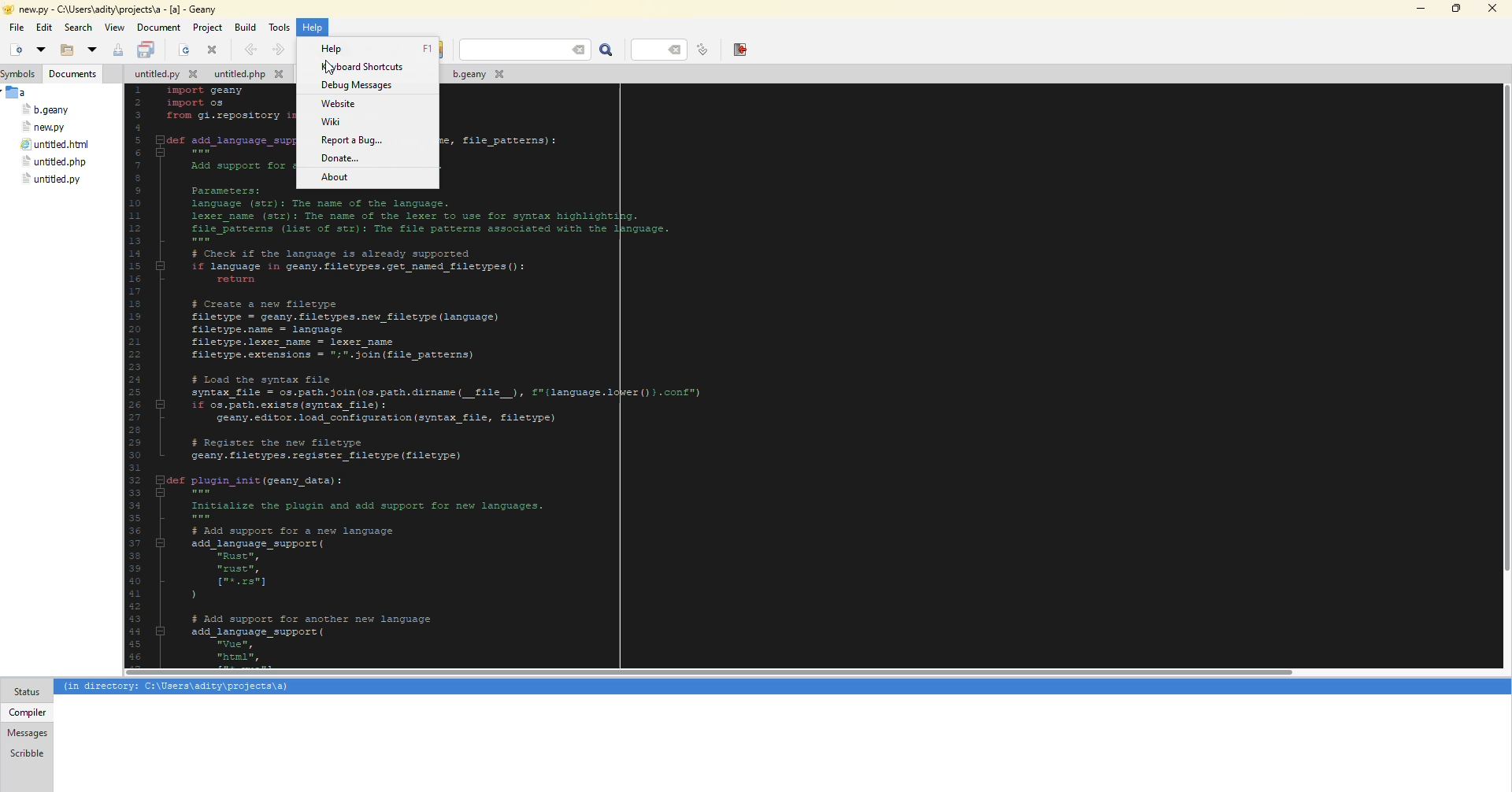 The width and height of the screenshot is (1512, 792). Describe the element at coordinates (282, 26) in the screenshot. I see `tools` at that location.